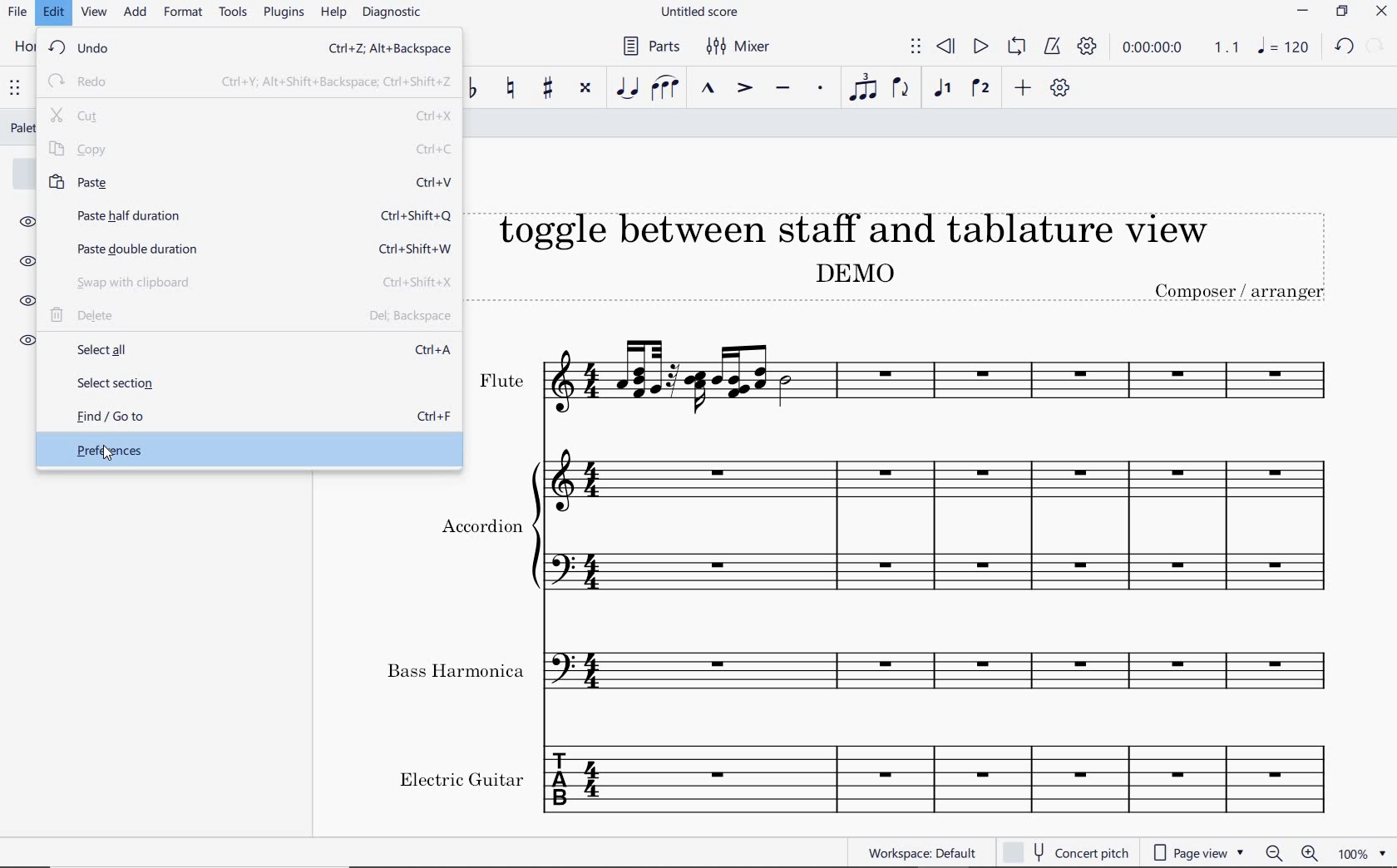 This screenshot has height=868, width=1397. What do you see at coordinates (865, 777) in the screenshot?
I see `Instrument: Electric guitar` at bounding box center [865, 777].